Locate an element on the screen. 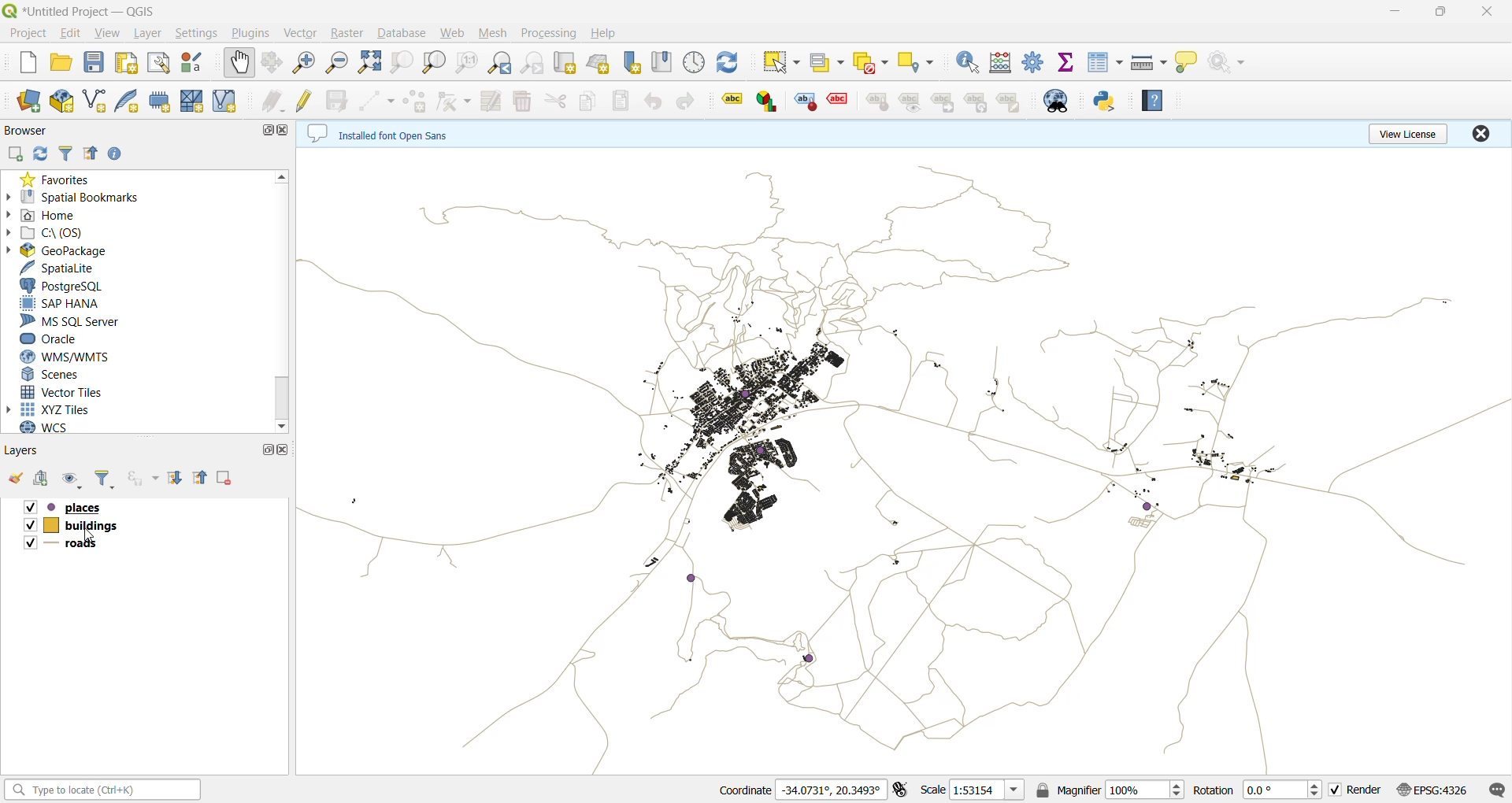 The image size is (1512, 803). buildings is located at coordinates (86, 525).